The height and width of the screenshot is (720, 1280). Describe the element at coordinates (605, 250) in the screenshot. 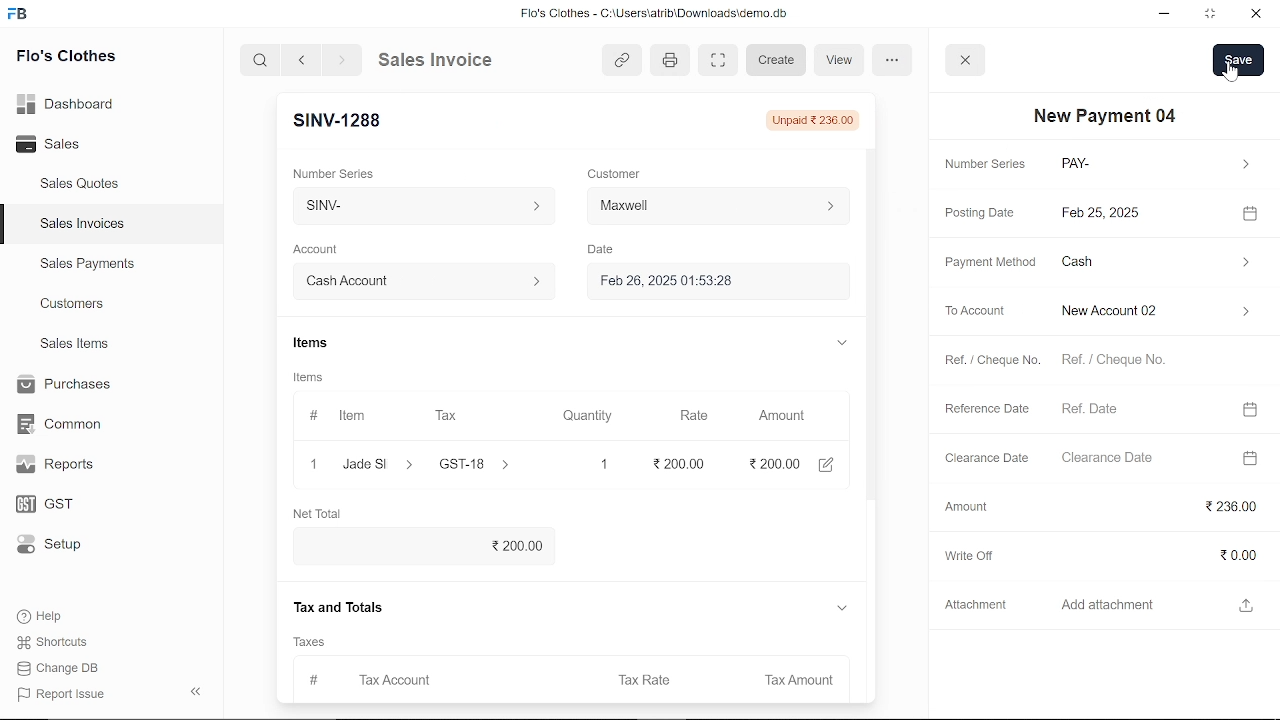

I see `Date` at that location.